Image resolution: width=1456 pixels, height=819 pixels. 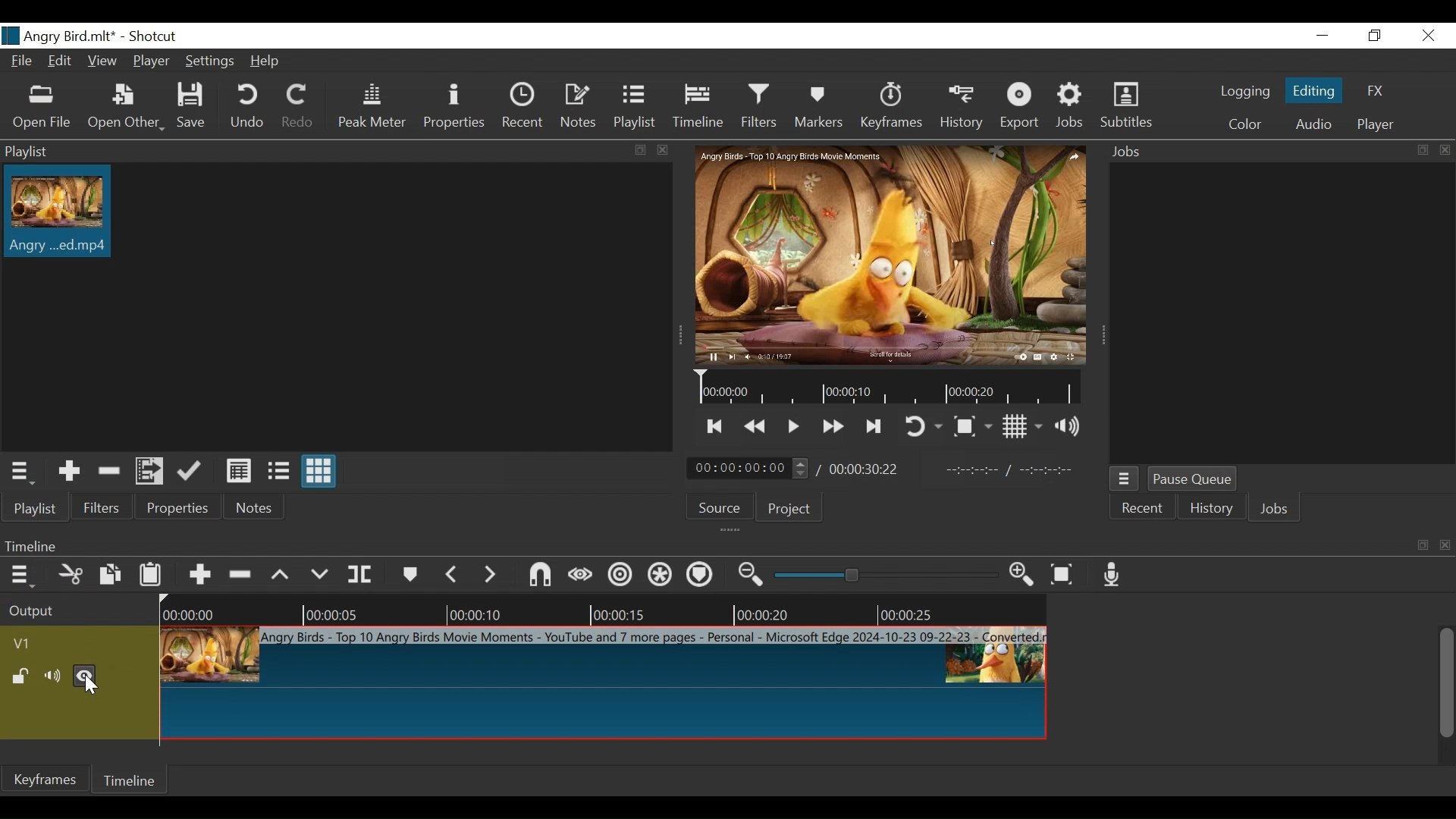 I want to click on Video track name, so click(x=35, y=643).